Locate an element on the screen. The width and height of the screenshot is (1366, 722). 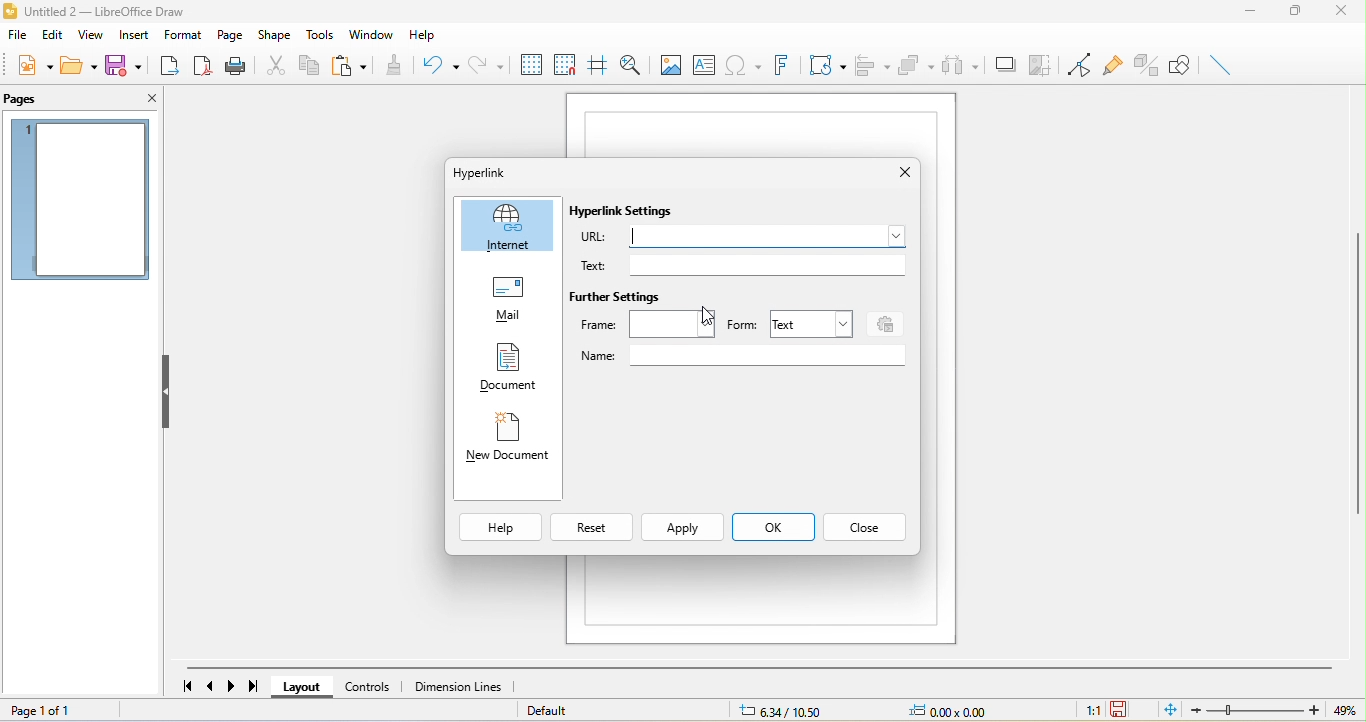
toggle point edit mode is located at coordinates (1075, 63).